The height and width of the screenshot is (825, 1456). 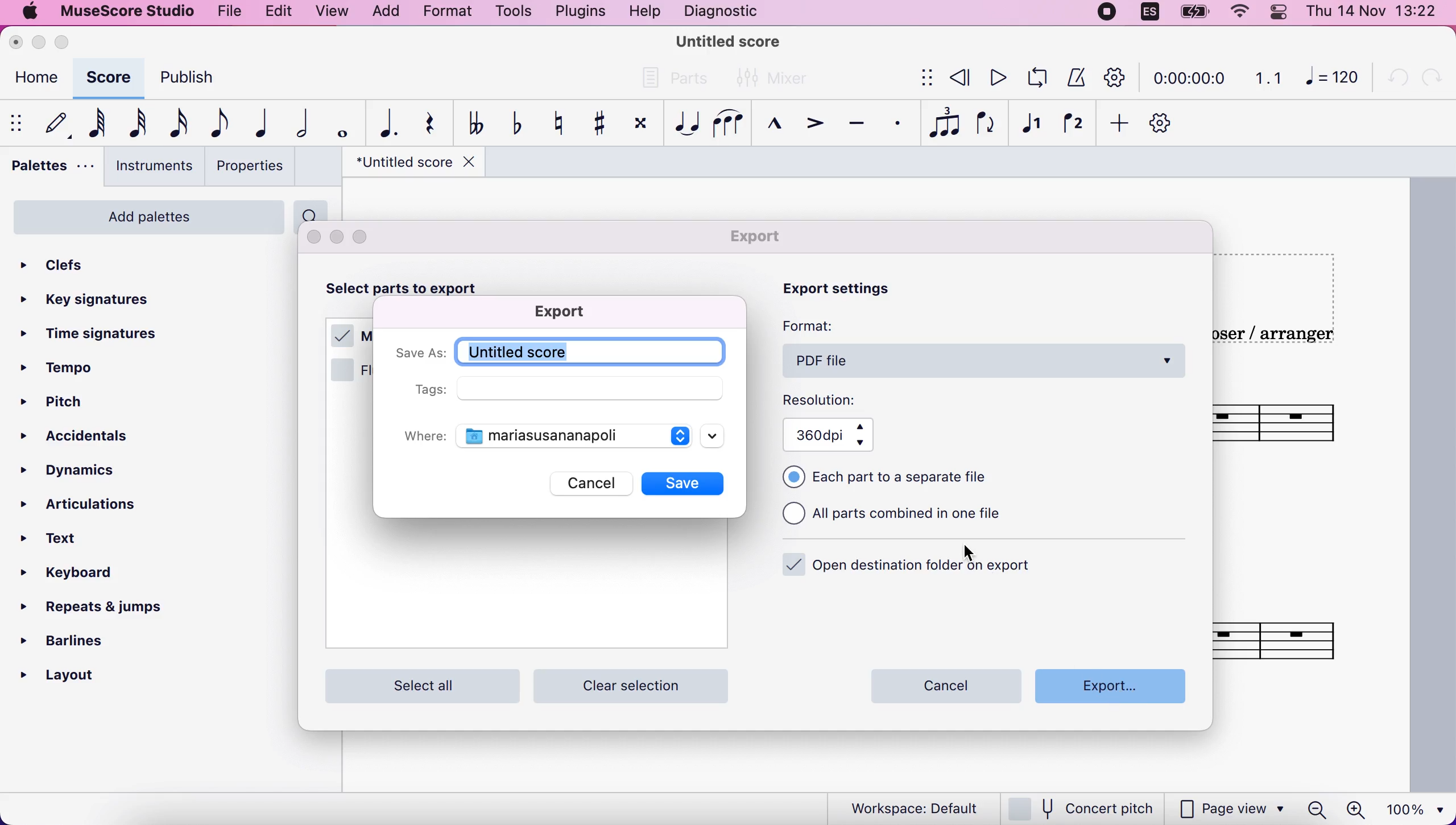 I want to click on properties, so click(x=249, y=168).